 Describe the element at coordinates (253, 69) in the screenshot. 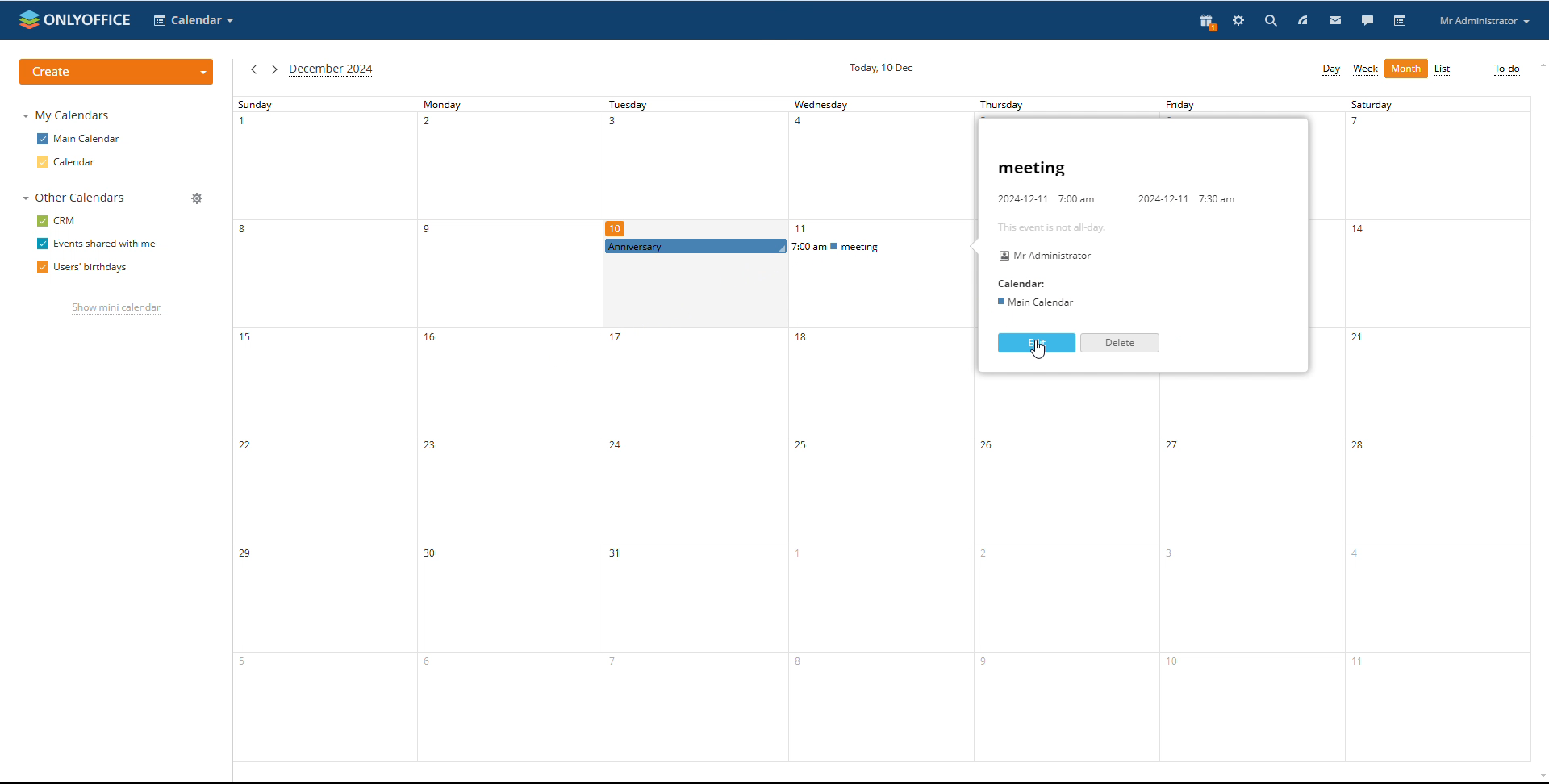

I see `previous month` at that location.